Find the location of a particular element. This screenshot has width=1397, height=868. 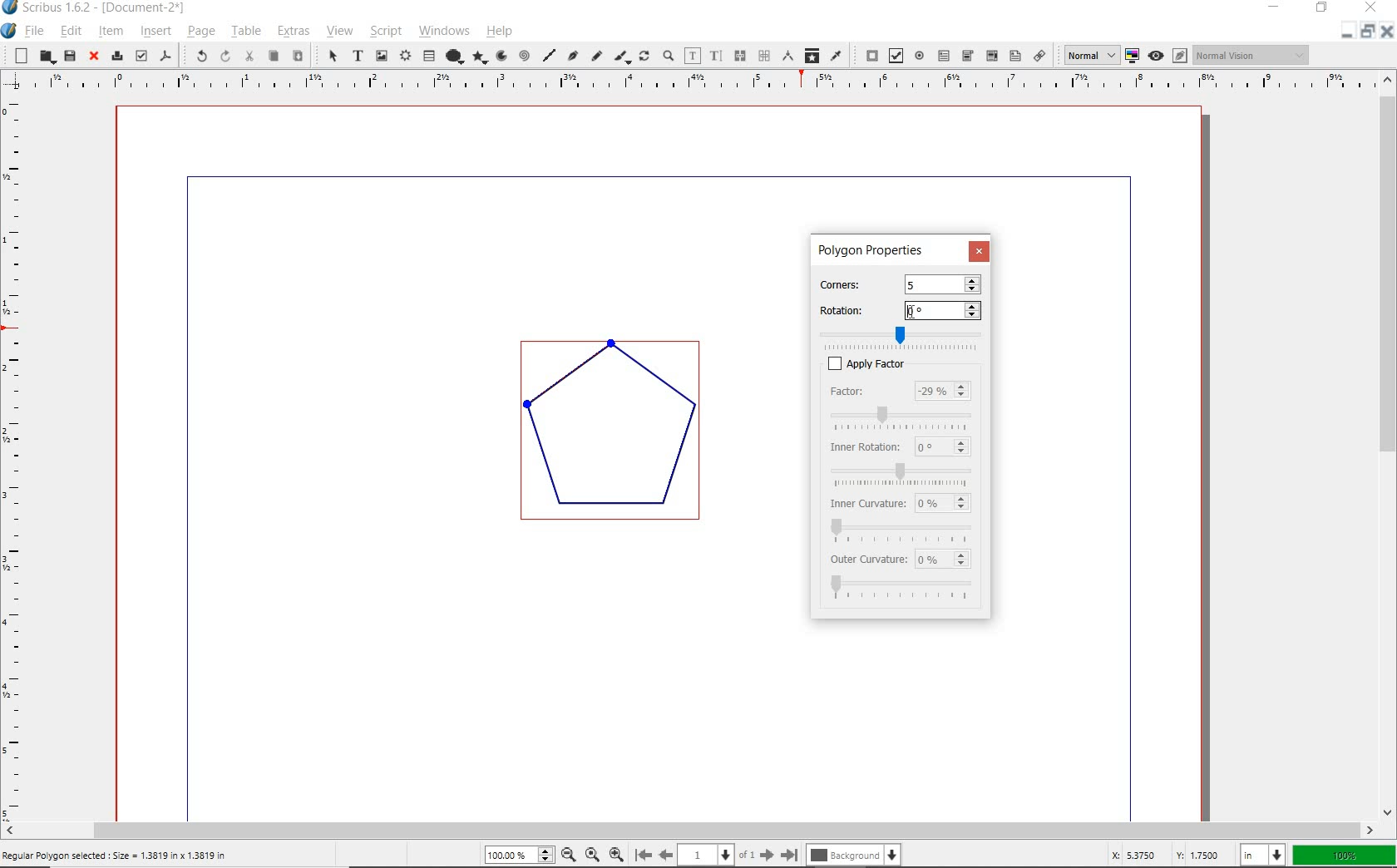

outer curvature input is located at coordinates (946, 560).